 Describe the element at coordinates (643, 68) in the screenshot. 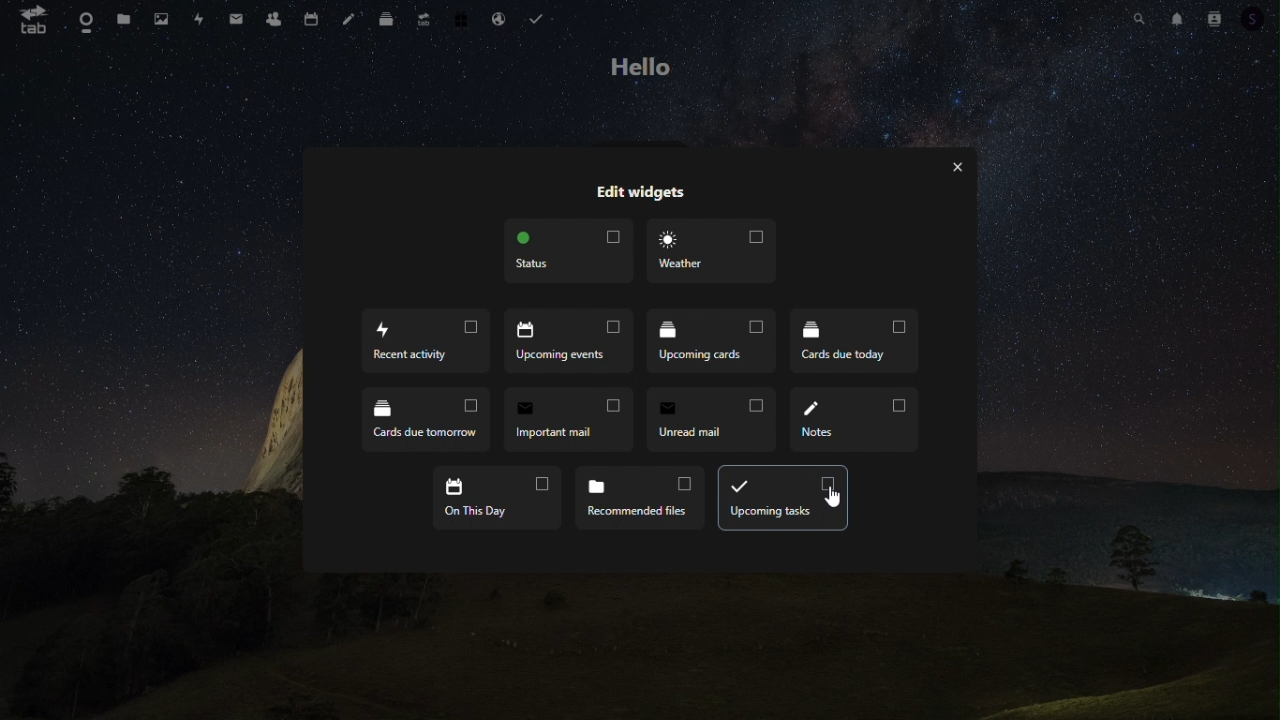

I see `Greetings` at that location.